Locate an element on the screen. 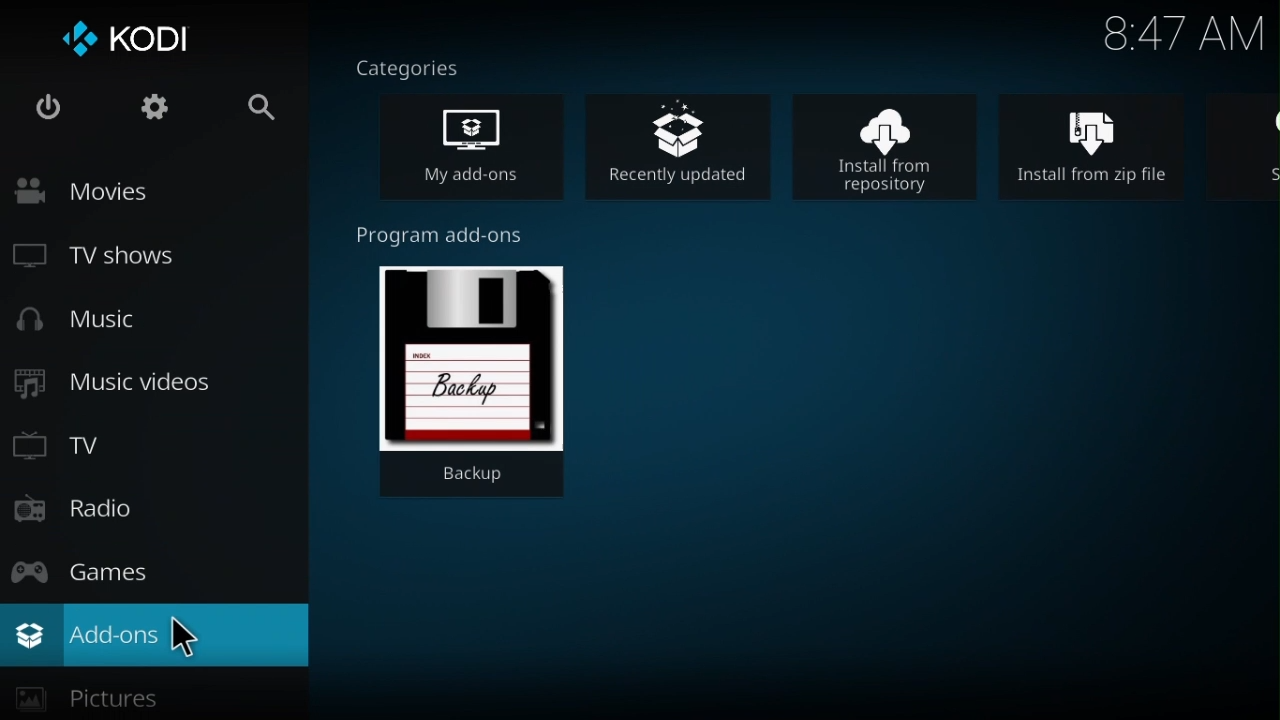 This screenshot has height=720, width=1280. Music videos is located at coordinates (119, 384).